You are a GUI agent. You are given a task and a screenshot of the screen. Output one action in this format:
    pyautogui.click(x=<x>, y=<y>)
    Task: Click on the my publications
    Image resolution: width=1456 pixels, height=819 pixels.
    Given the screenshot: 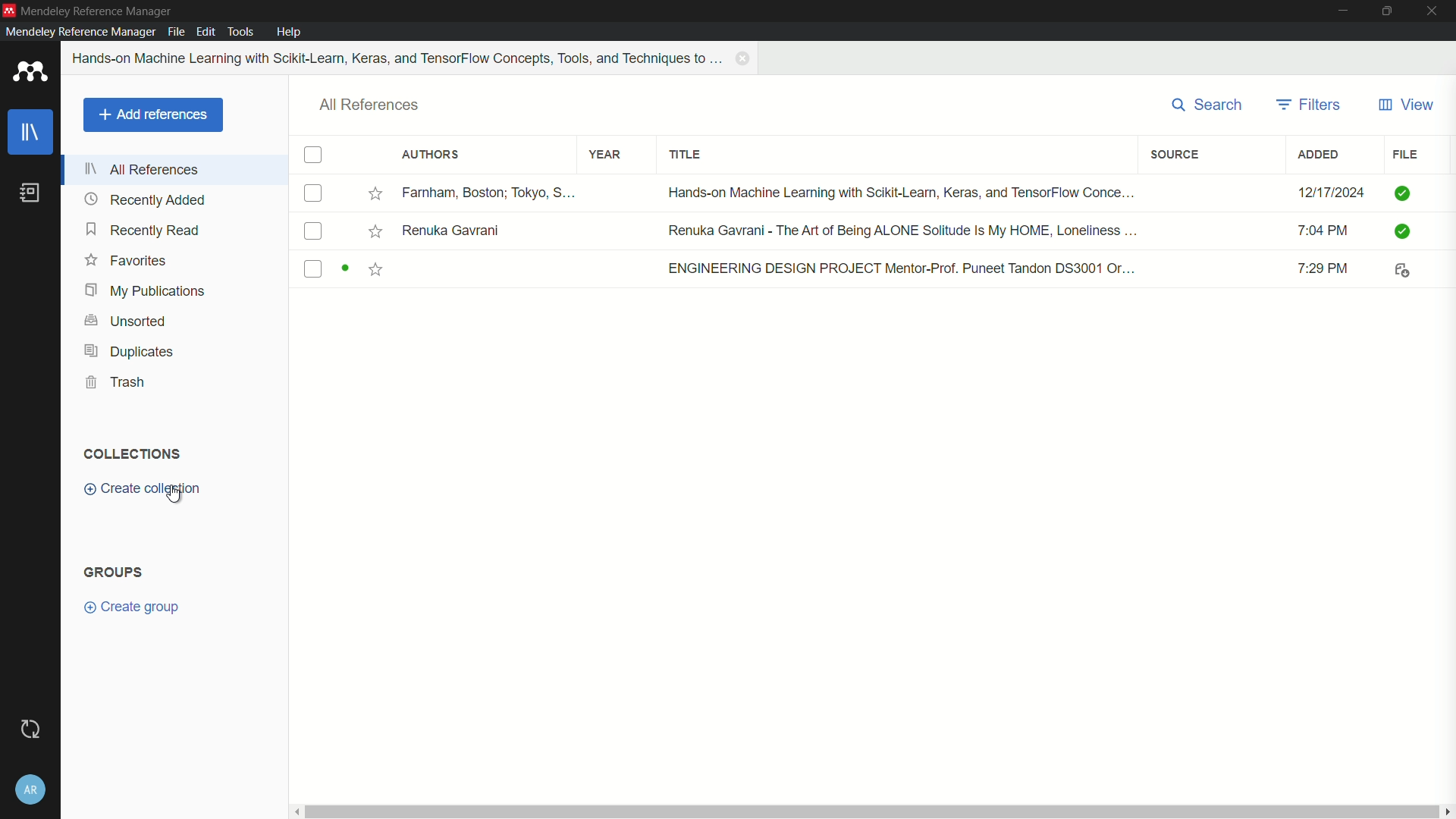 What is the action you would take?
    pyautogui.click(x=143, y=291)
    